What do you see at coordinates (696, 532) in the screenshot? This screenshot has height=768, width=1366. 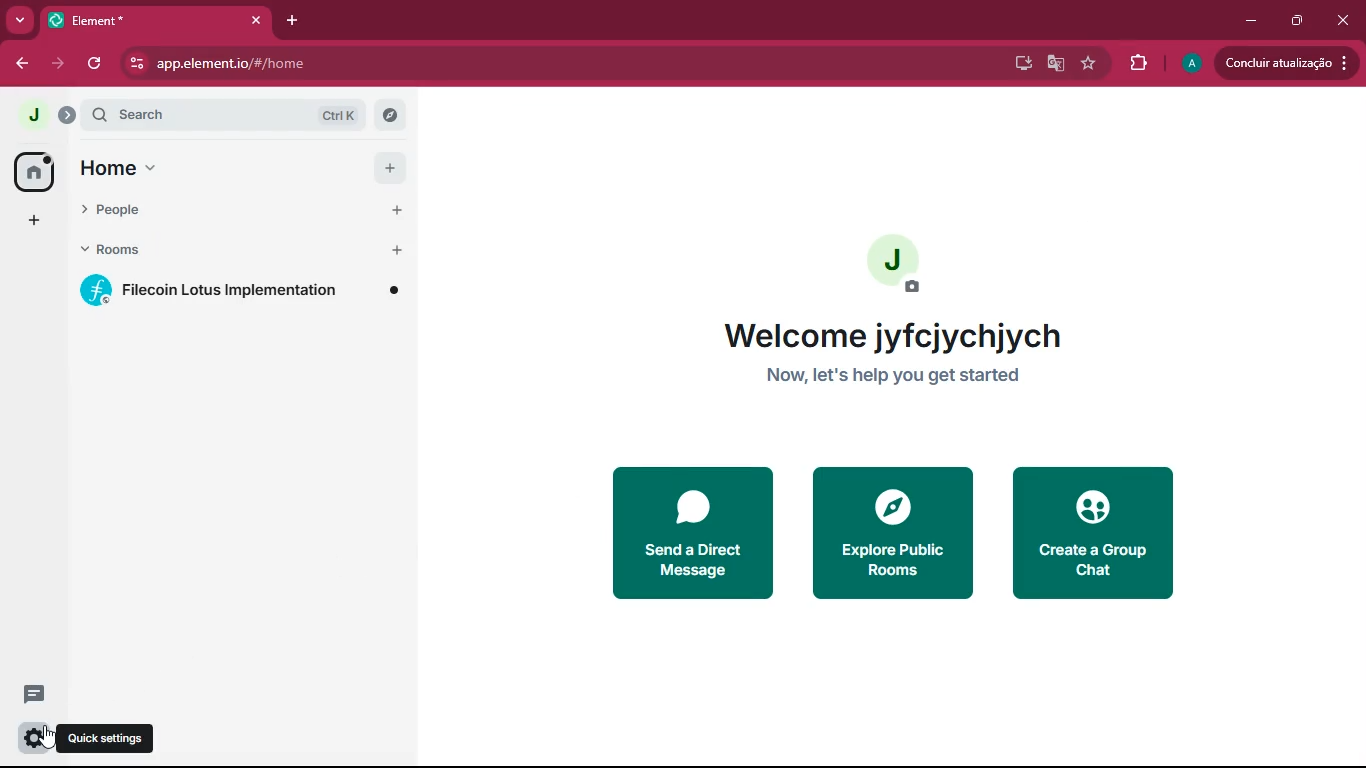 I see `send a direct message` at bounding box center [696, 532].